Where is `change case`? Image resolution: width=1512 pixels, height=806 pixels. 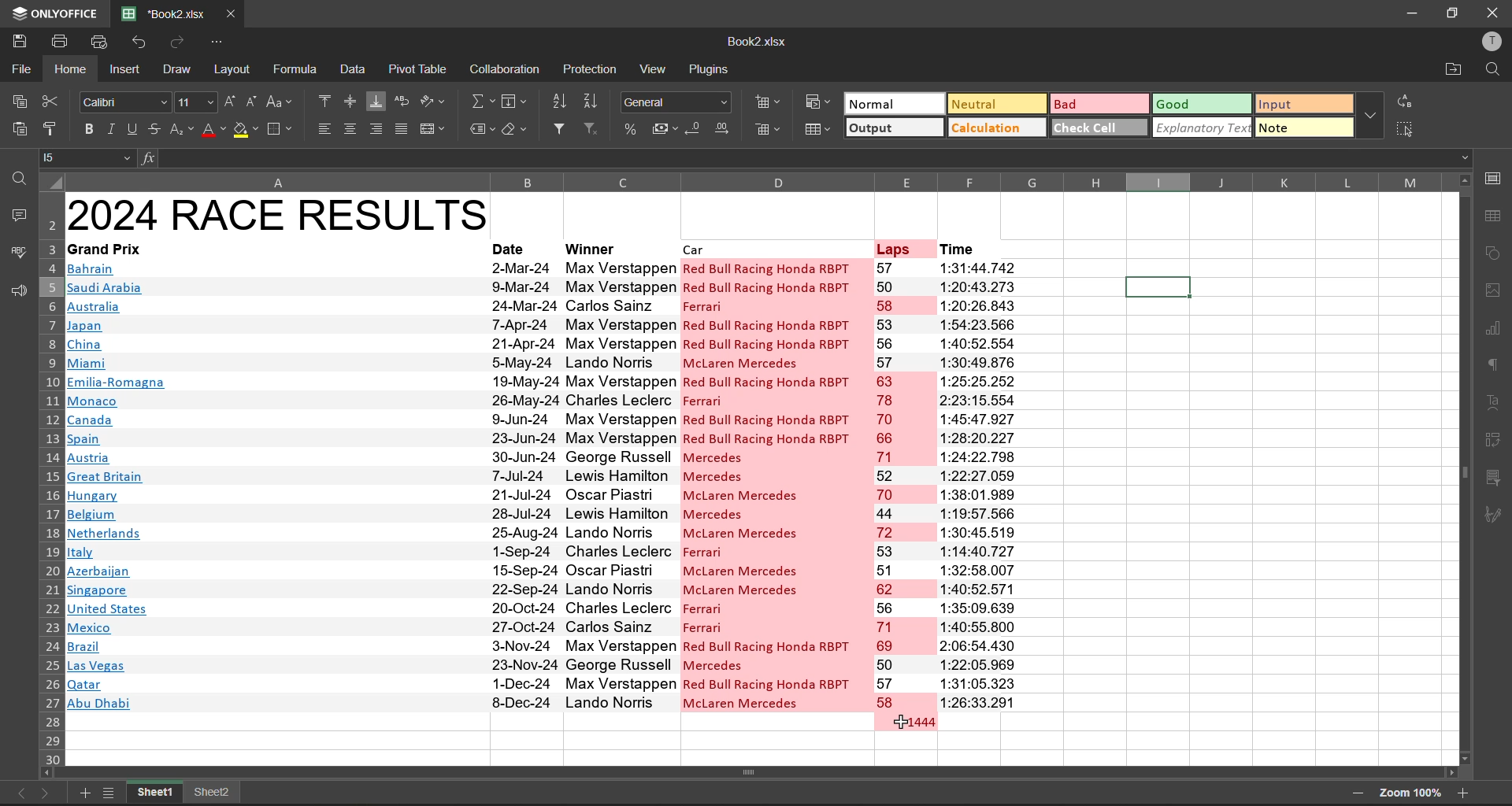
change case is located at coordinates (279, 102).